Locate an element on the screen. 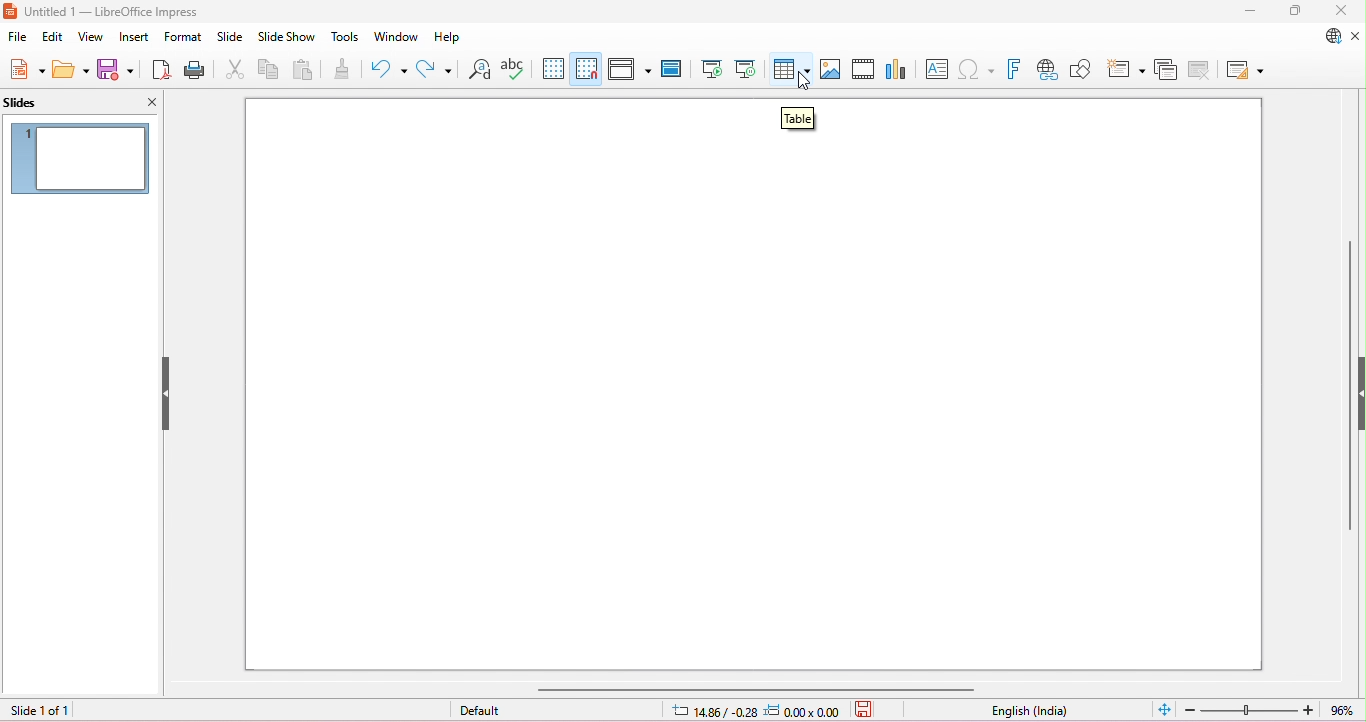 The image size is (1366, 722). slide ;ayout is located at coordinates (1246, 71).